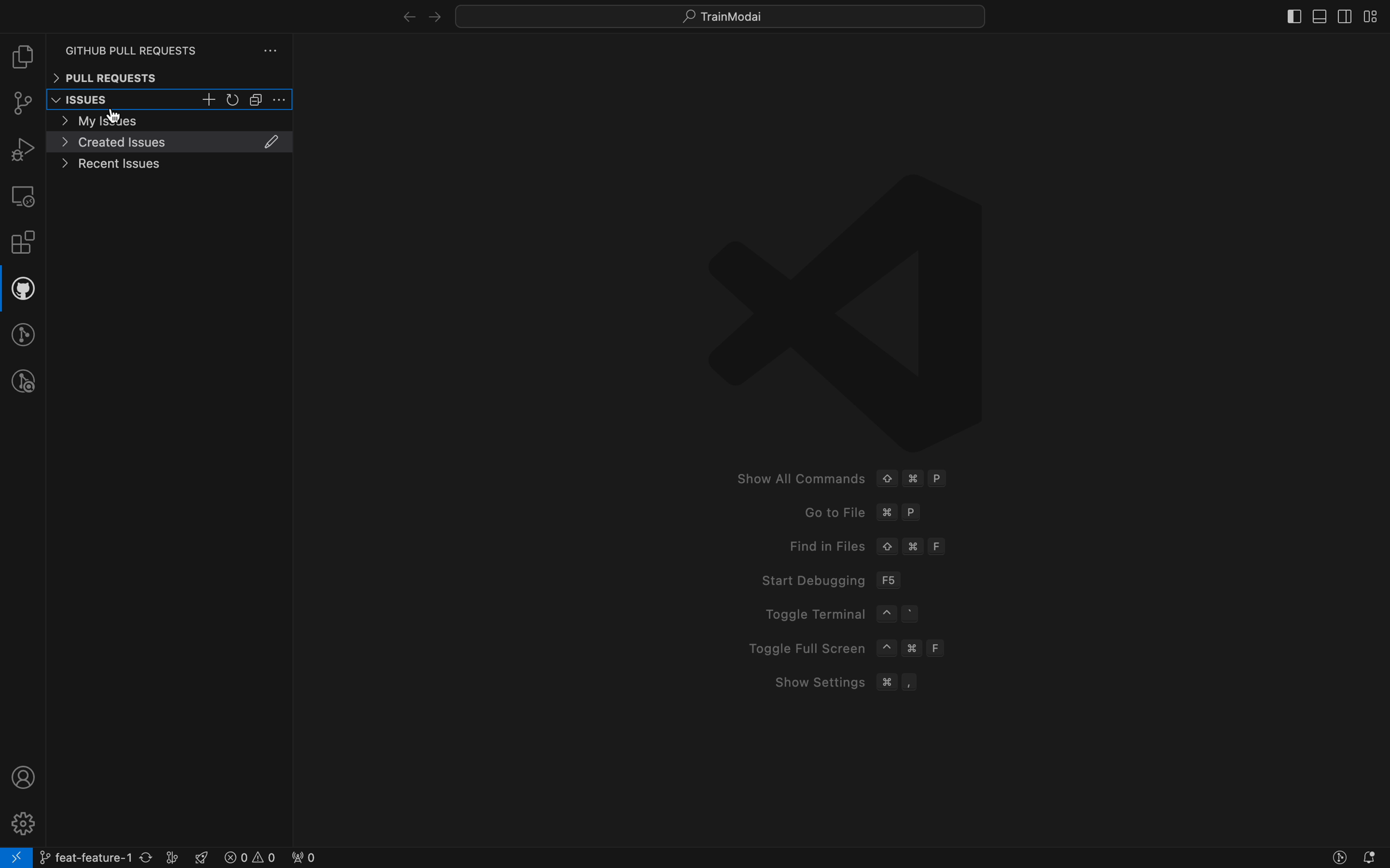 The height and width of the screenshot is (868, 1390). Describe the element at coordinates (169, 164) in the screenshot. I see `recent issues` at that location.